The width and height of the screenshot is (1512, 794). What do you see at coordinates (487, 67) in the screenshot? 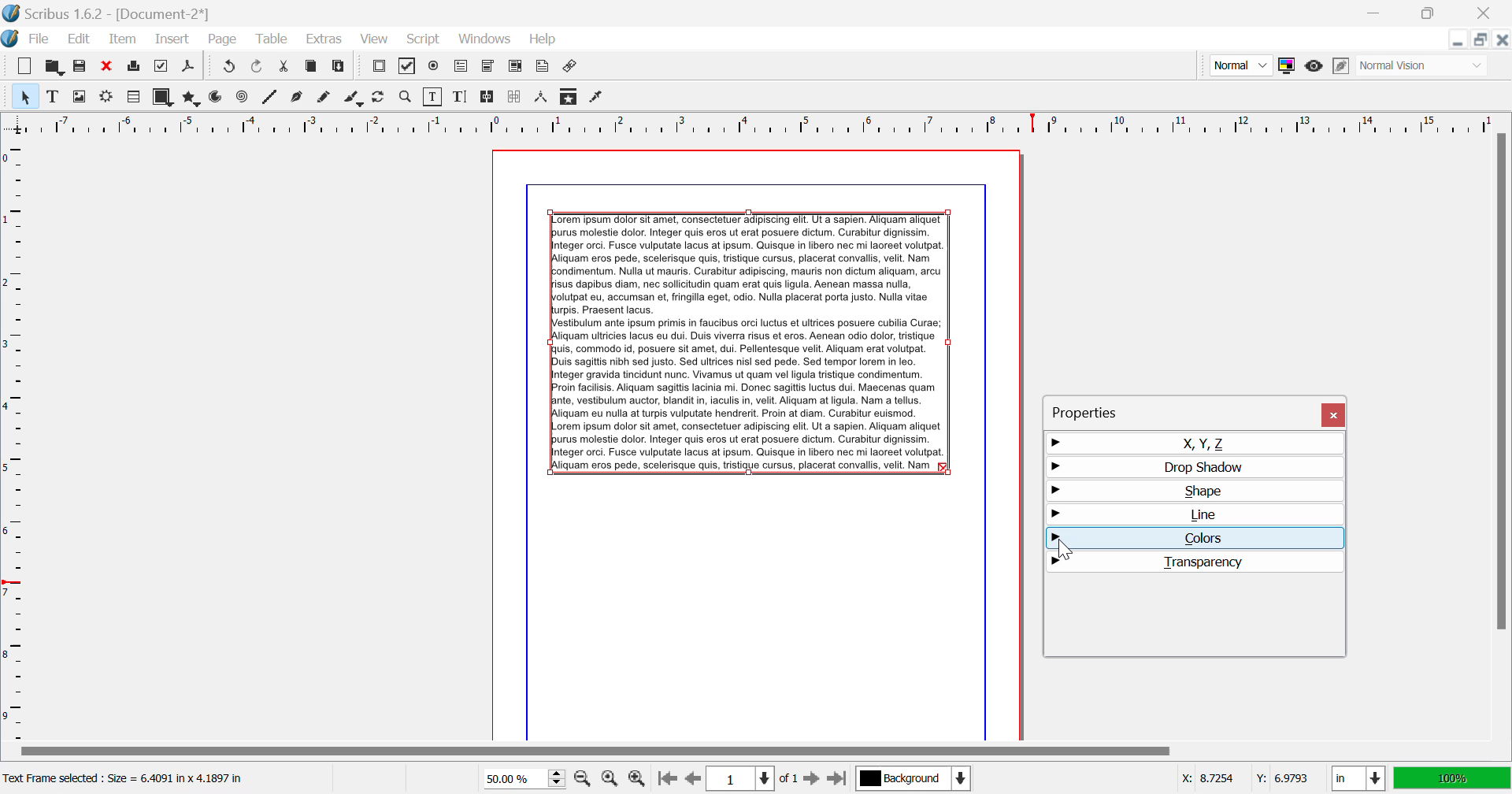
I see `Pdf Combo Box` at bounding box center [487, 67].